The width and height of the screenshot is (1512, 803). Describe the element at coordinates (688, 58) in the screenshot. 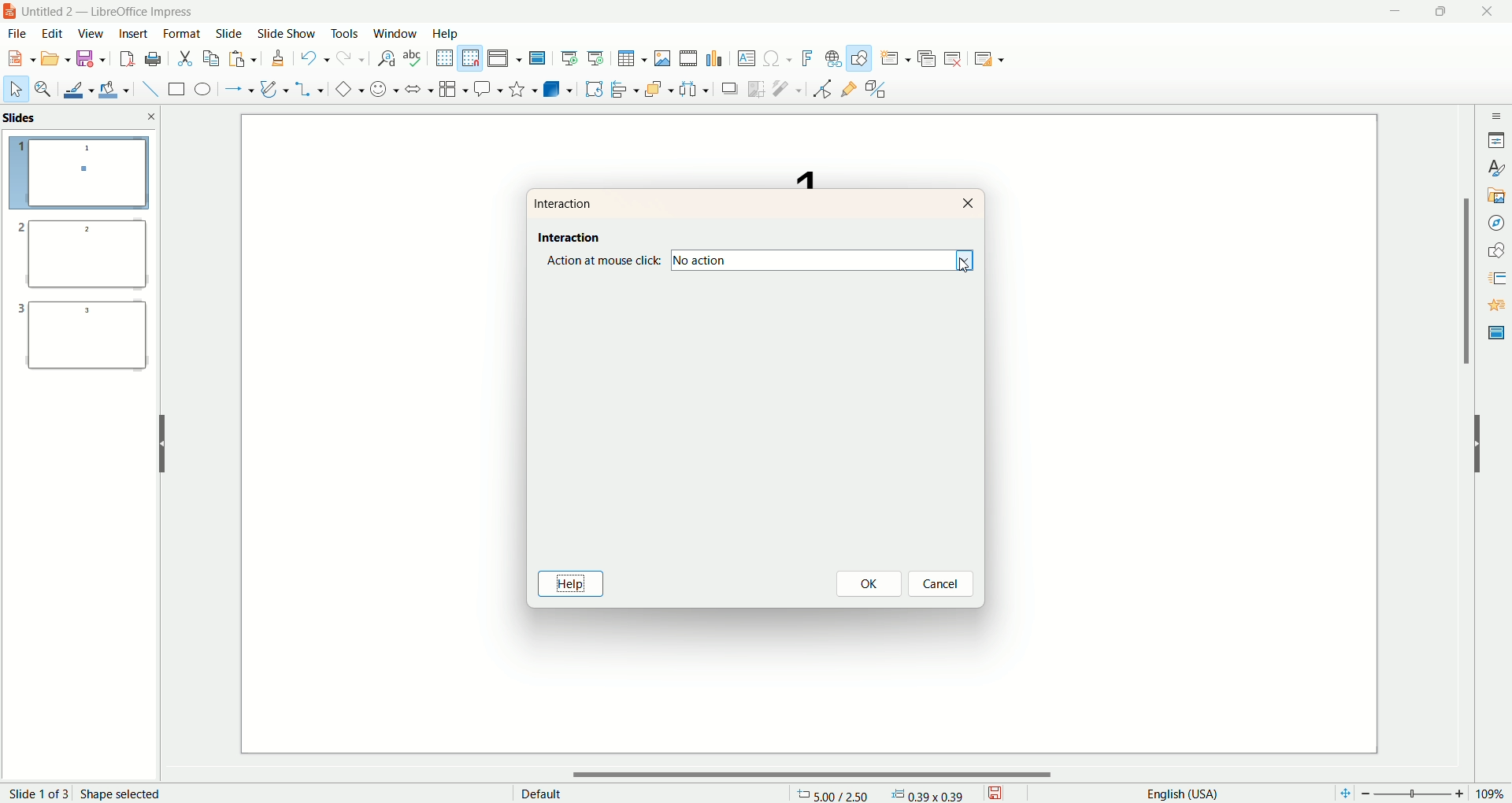

I see `insert audio or video` at that location.